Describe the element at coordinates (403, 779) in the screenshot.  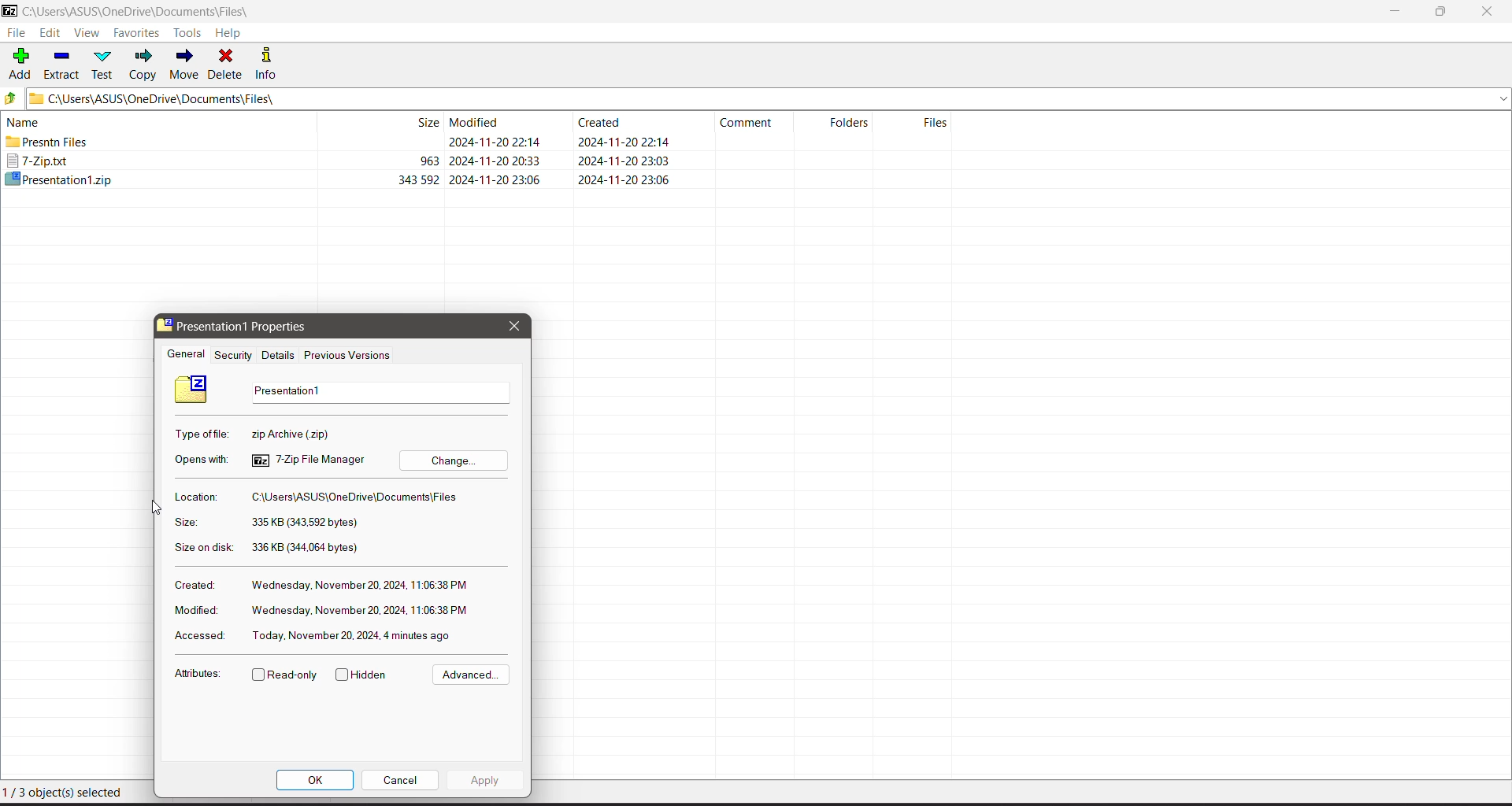
I see `Cancel` at that location.